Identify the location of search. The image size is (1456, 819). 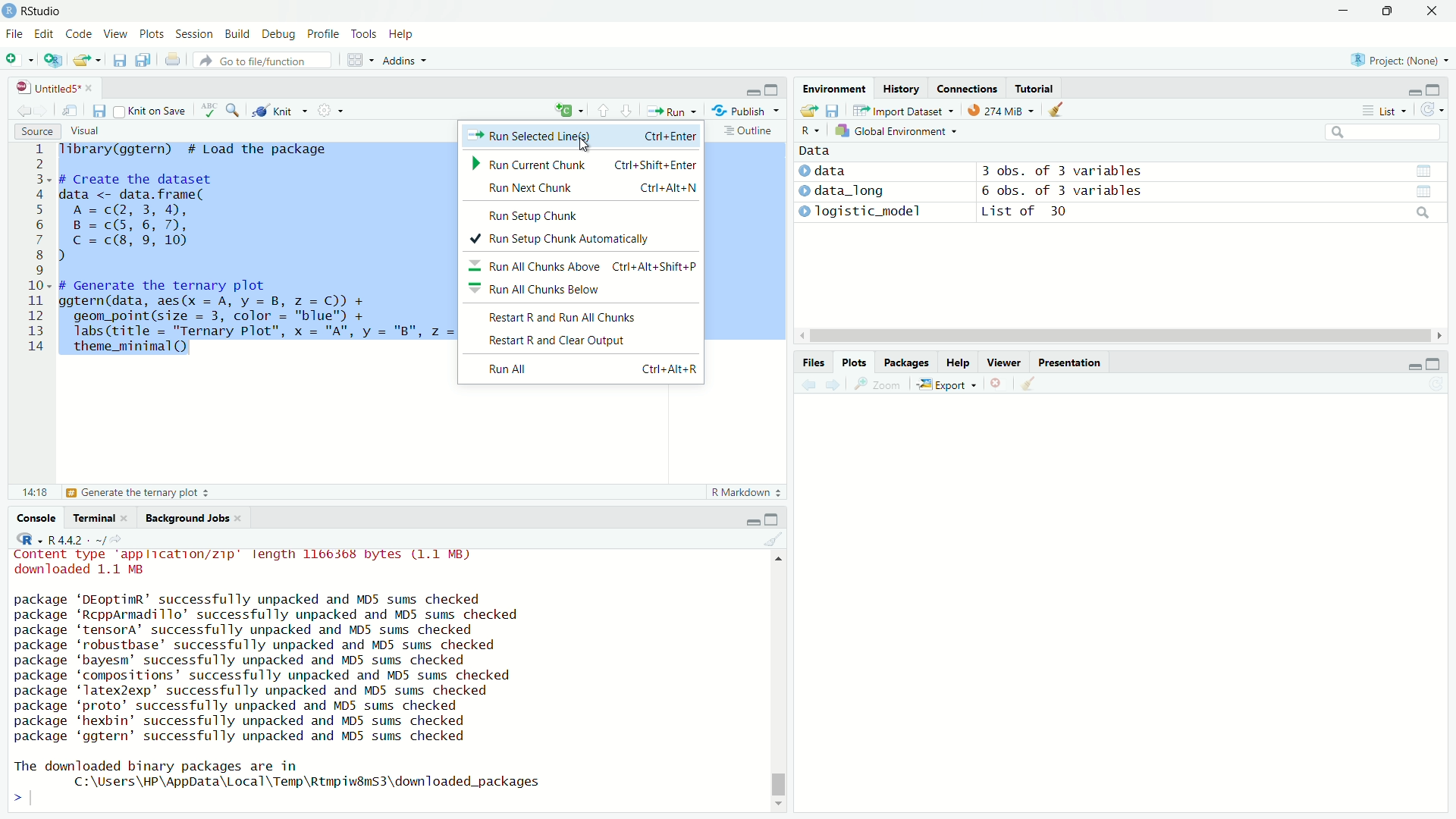
(236, 110).